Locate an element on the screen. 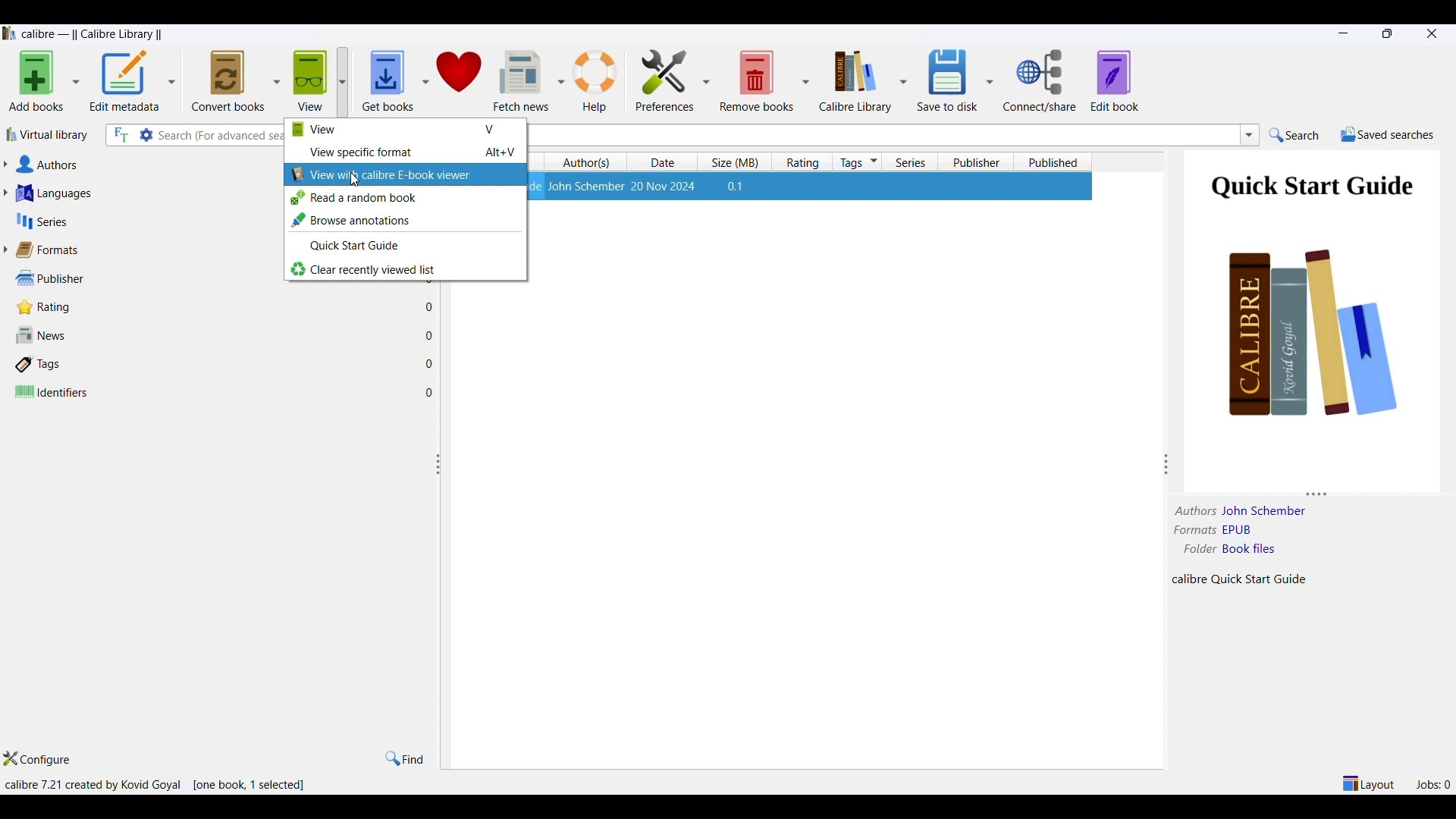  John Schember is located at coordinates (1267, 510).